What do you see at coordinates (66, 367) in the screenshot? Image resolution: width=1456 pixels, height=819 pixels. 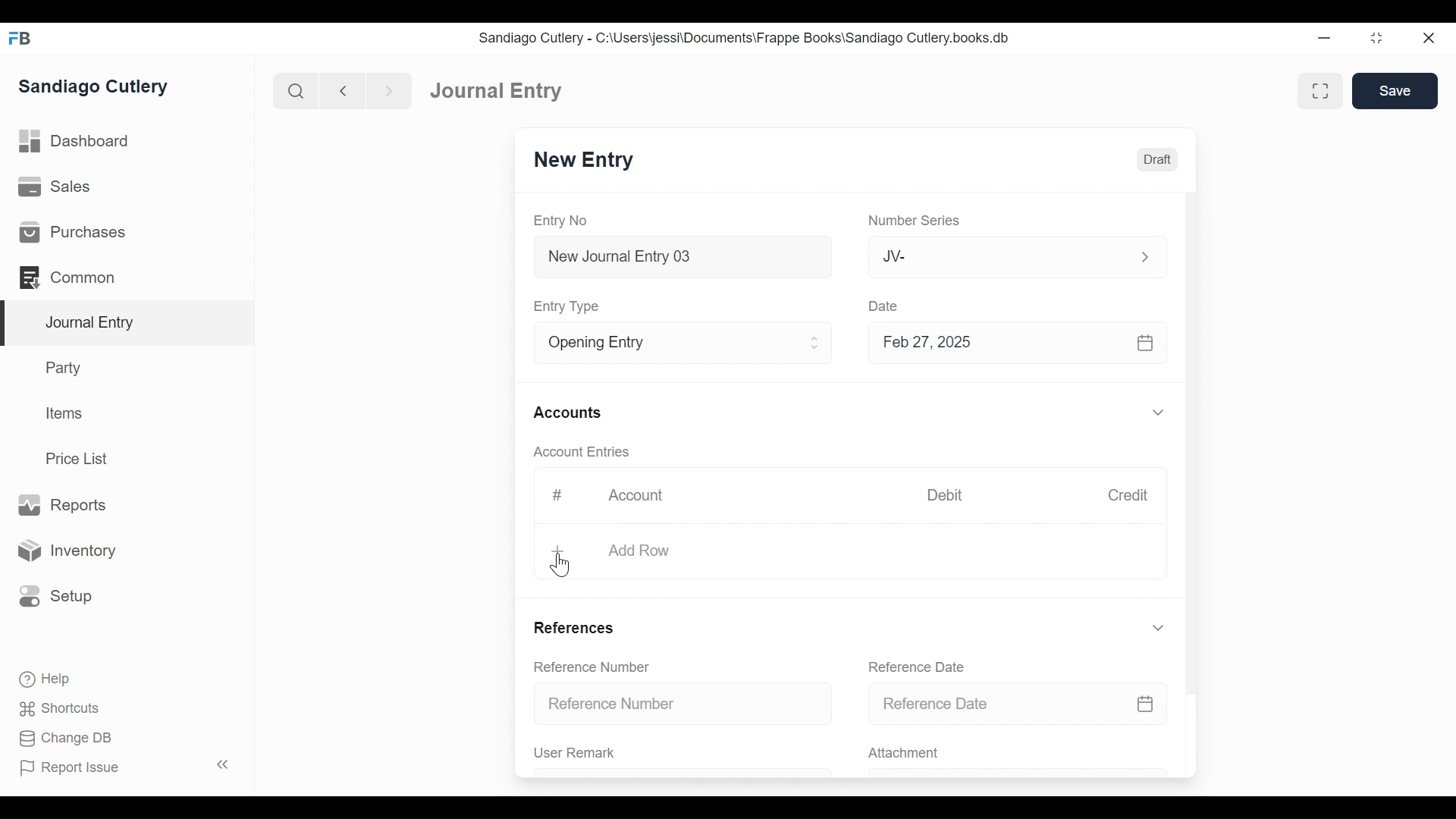 I see `Party` at bounding box center [66, 367].